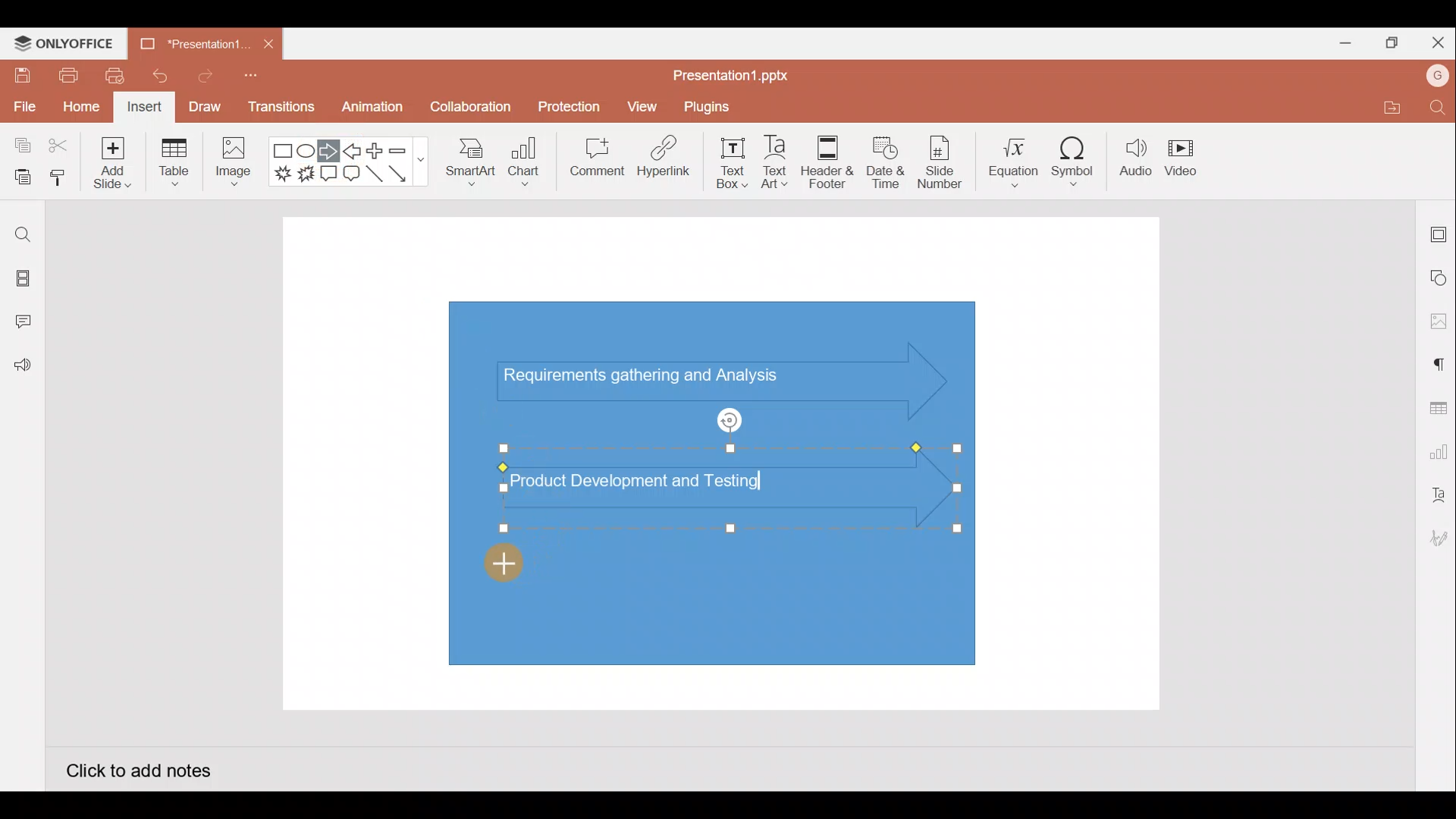 The height and width of the screenshot is (819, 1456). What do you see at coordinates (1438, 362) in the screenshot?
I see `Paragraph settings` at bounding box center [1438, 362].